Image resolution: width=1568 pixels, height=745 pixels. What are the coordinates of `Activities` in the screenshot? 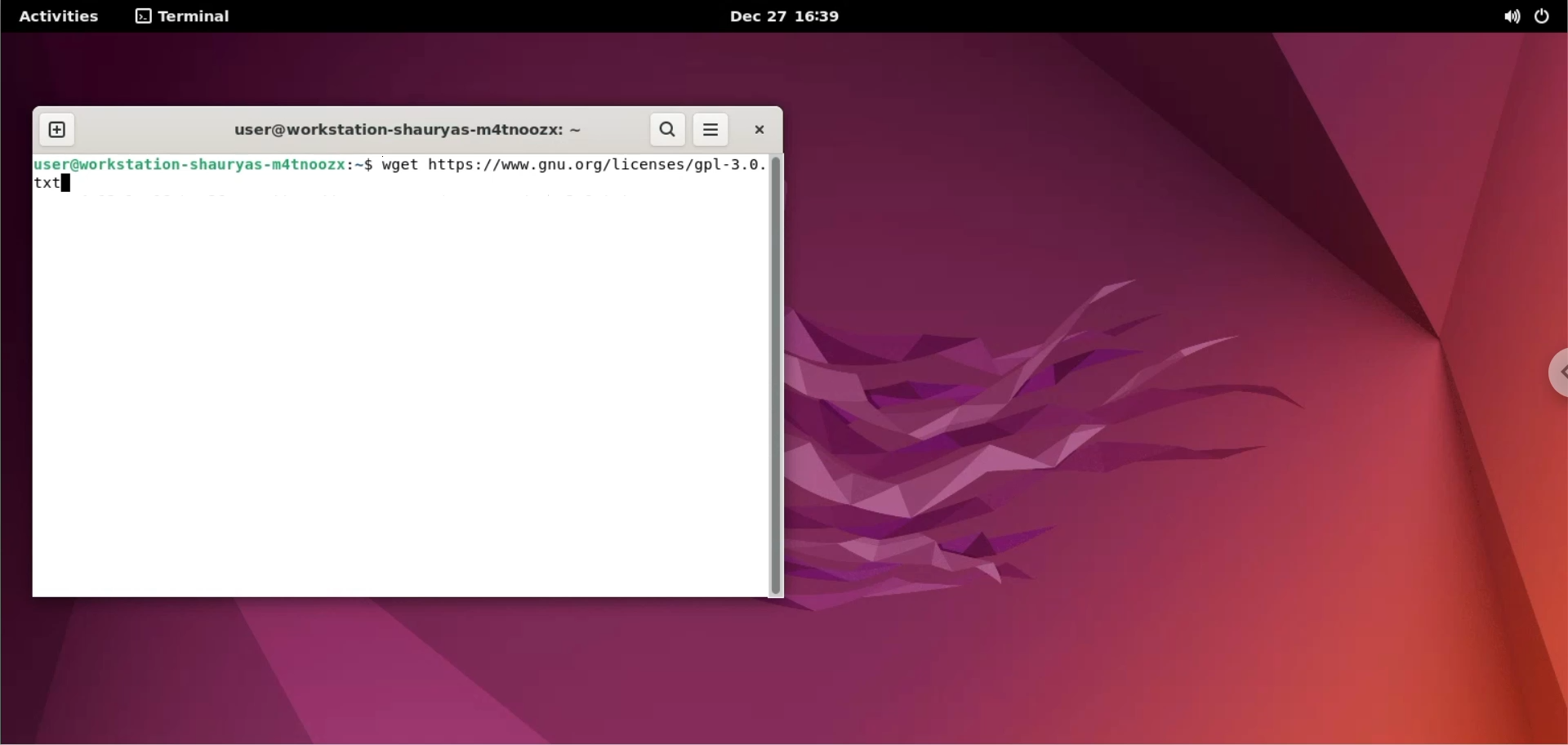 It's located at (65, 16).